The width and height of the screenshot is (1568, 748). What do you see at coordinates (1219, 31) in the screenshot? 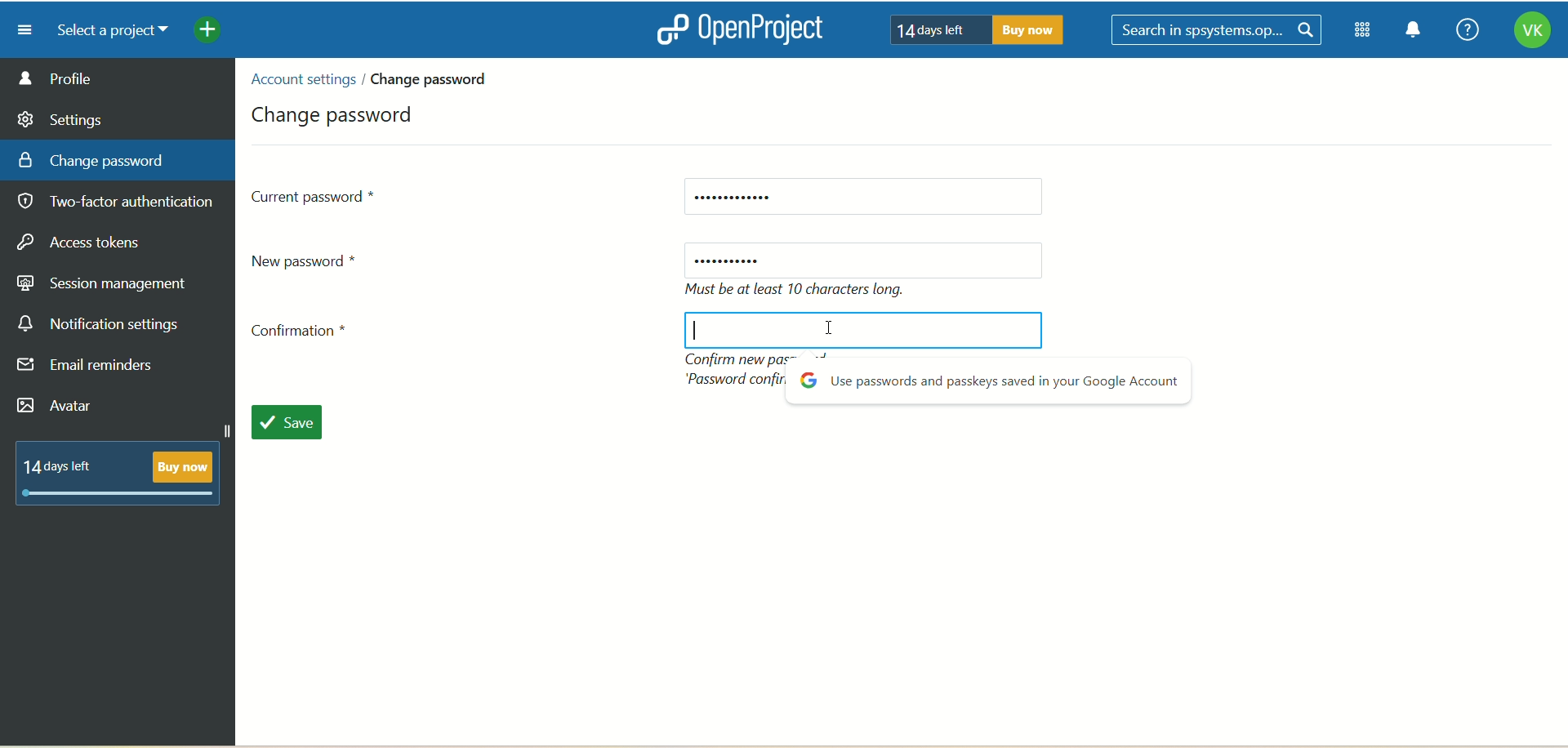
I see `search` at bounding box center [1219, 31].